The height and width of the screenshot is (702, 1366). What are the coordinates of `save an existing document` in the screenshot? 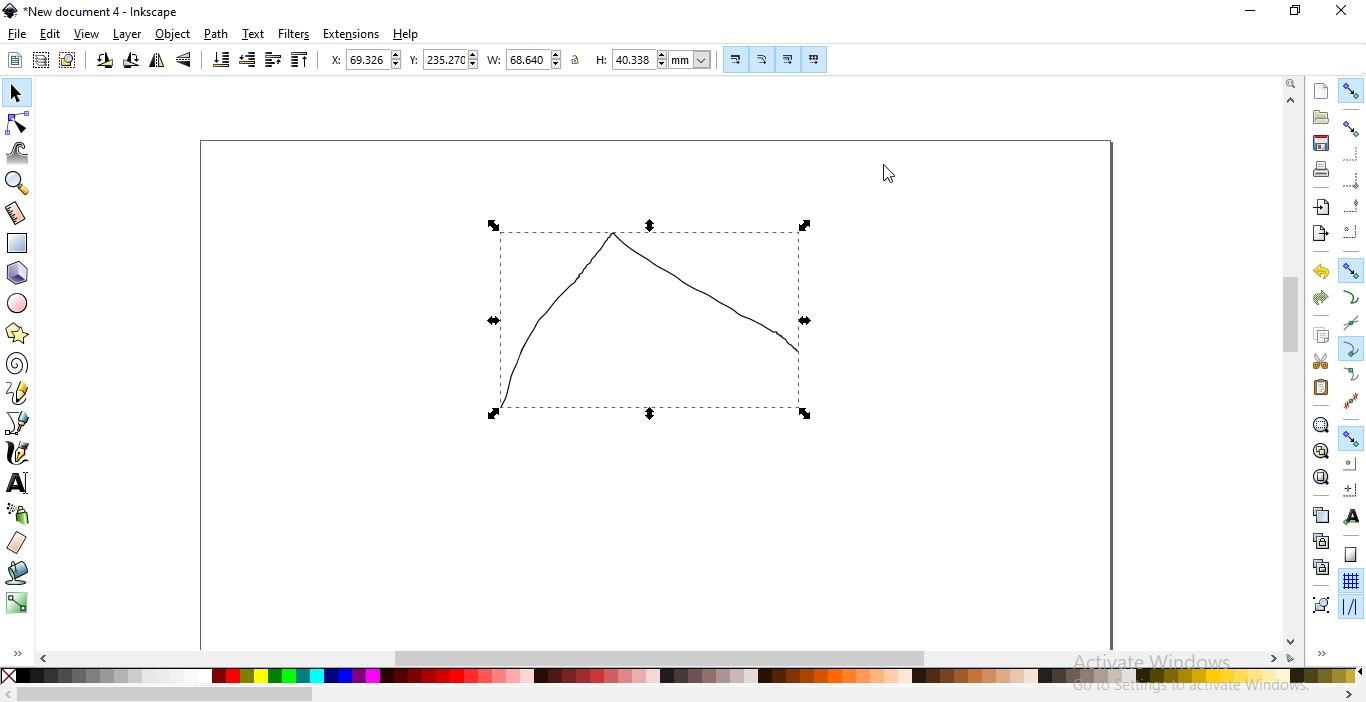 It's located at (1321, 142).